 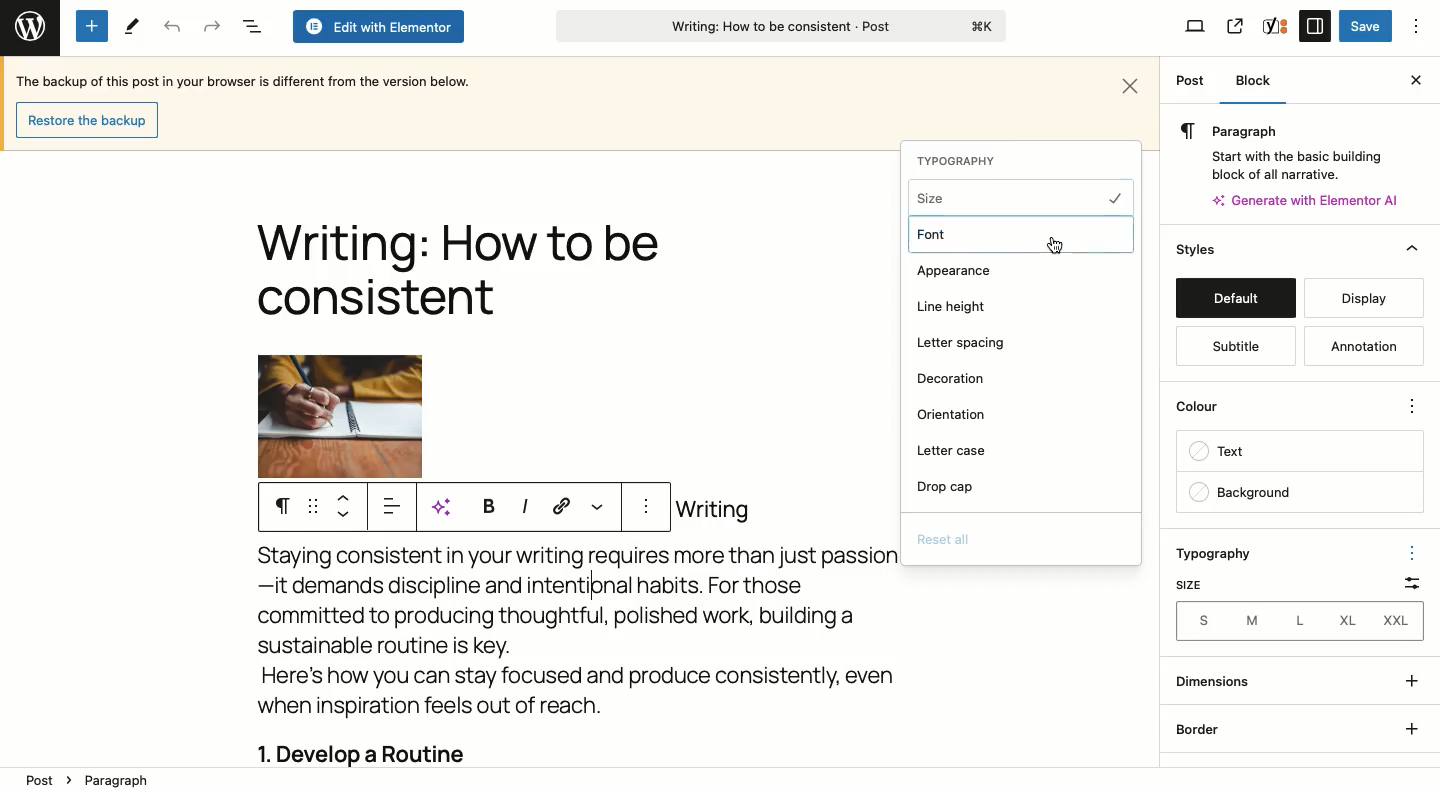 I want to click on View, so click(x=1196, y=28).